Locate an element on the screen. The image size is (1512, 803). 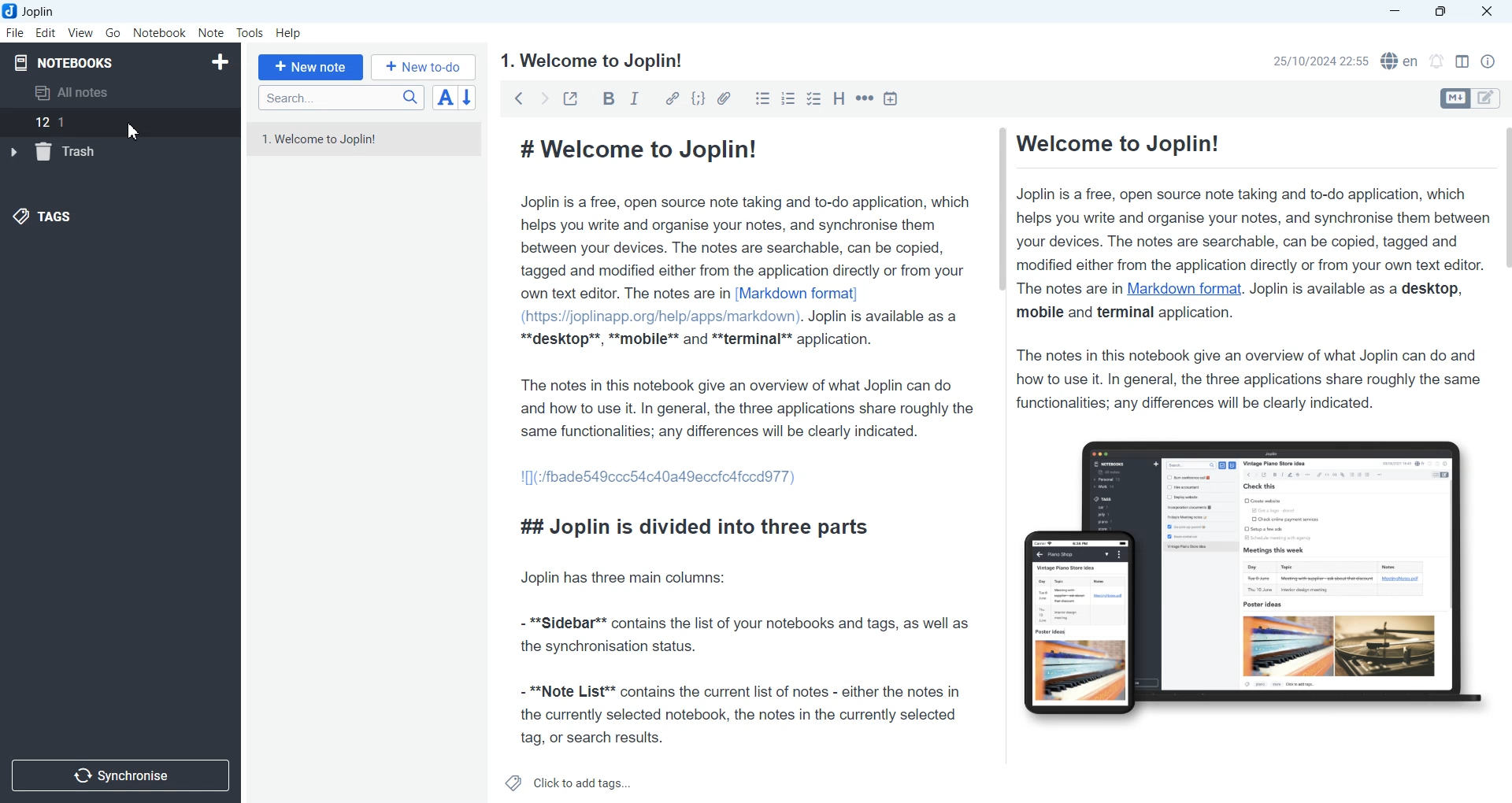
Bold is located at coordinates (606, 98).